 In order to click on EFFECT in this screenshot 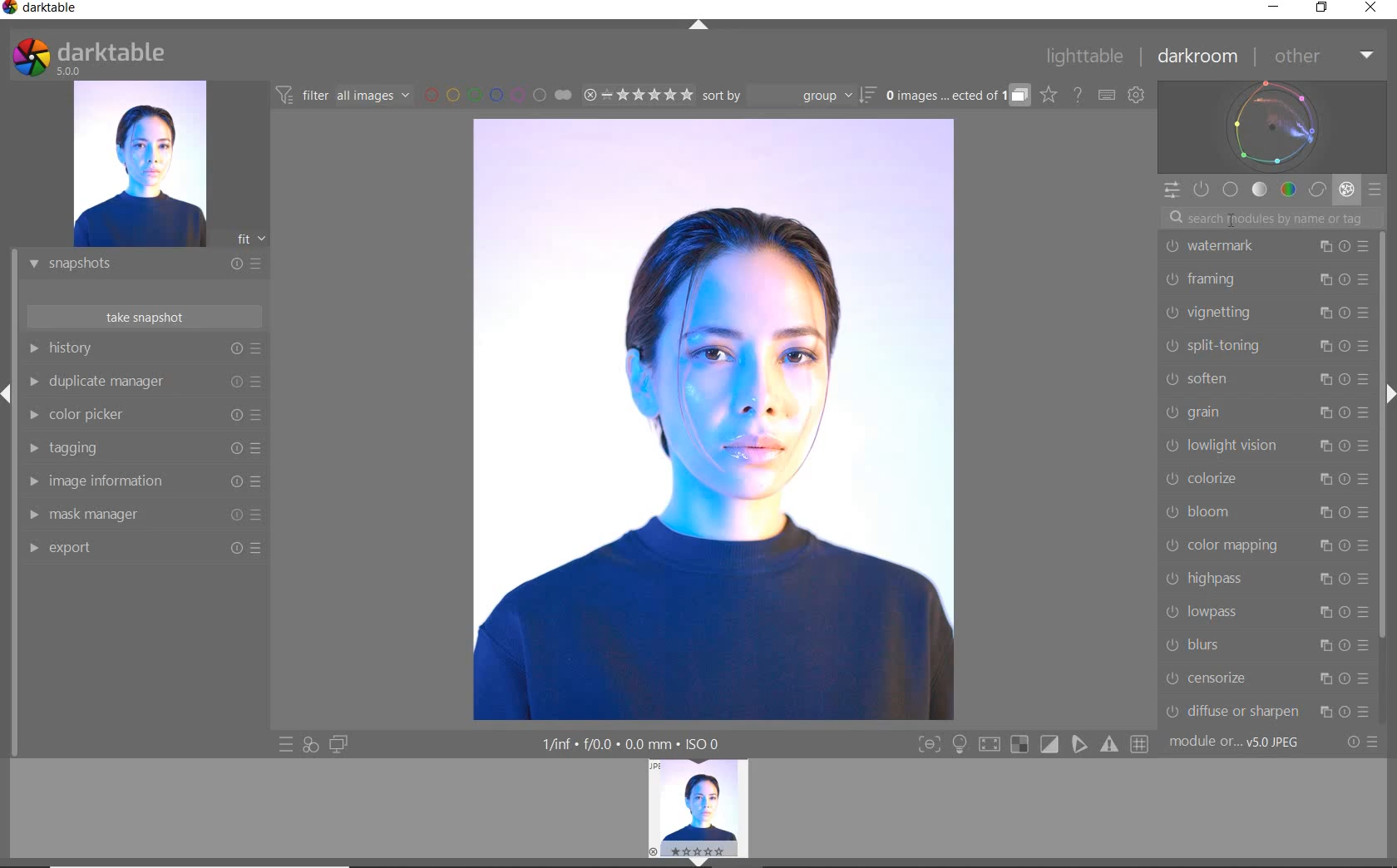, I will do `click(1346, 189)`.